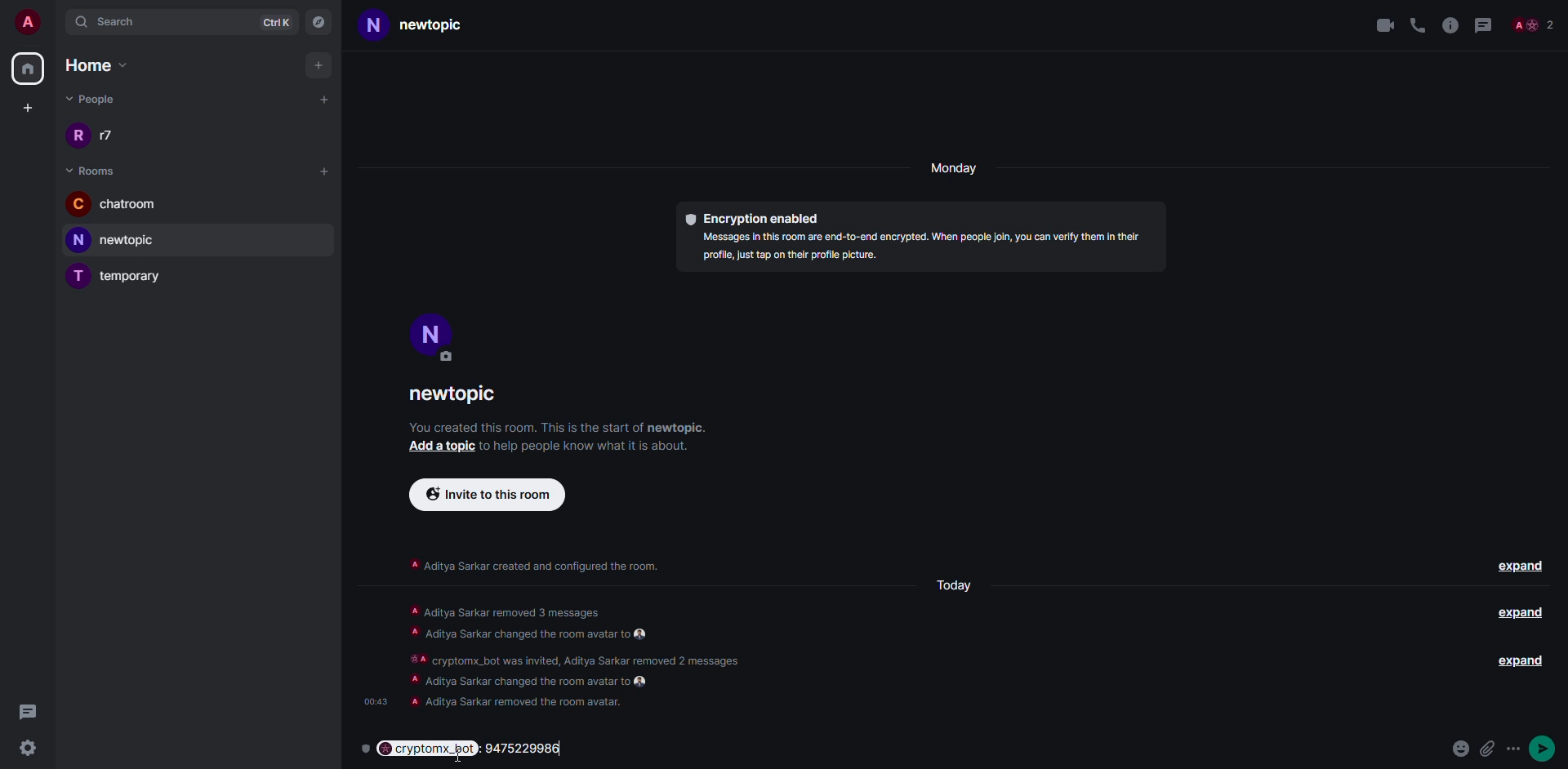 This screenshot has height=769, width=1568. I want to click on newtopic, so click(463, 395).